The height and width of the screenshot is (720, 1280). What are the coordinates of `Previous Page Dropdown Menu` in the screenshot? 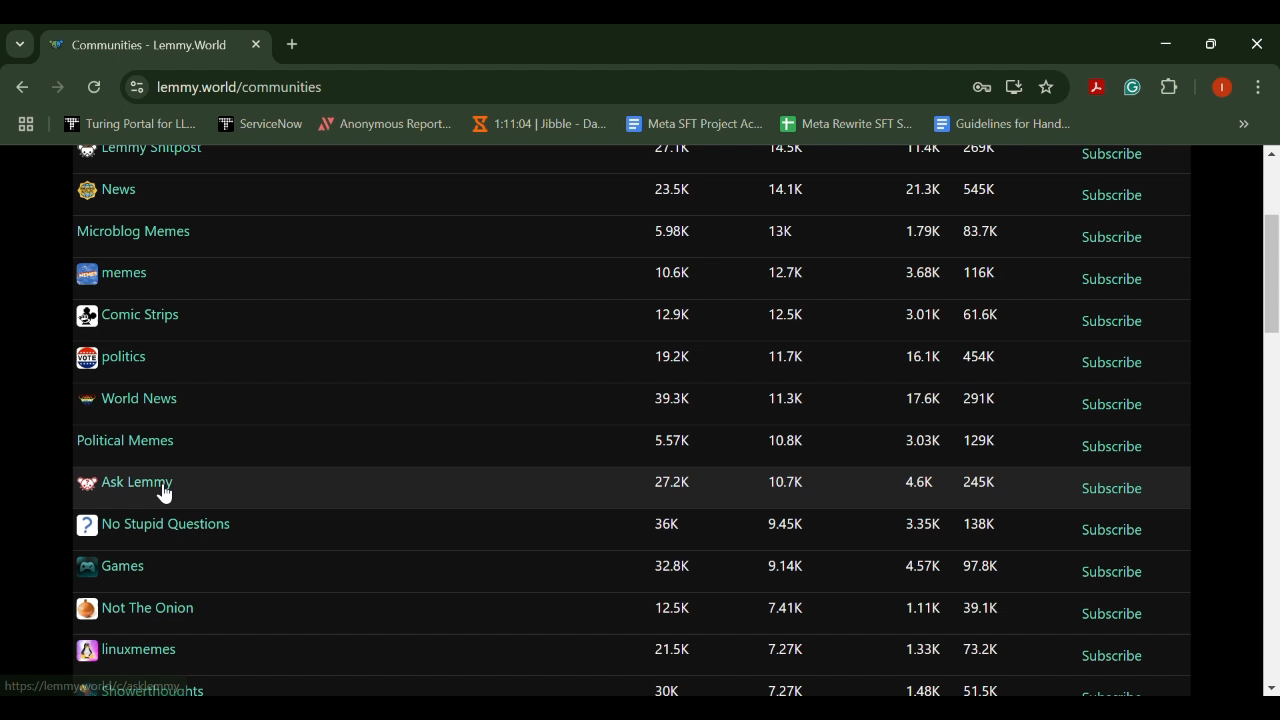 It's located at (20, 45).